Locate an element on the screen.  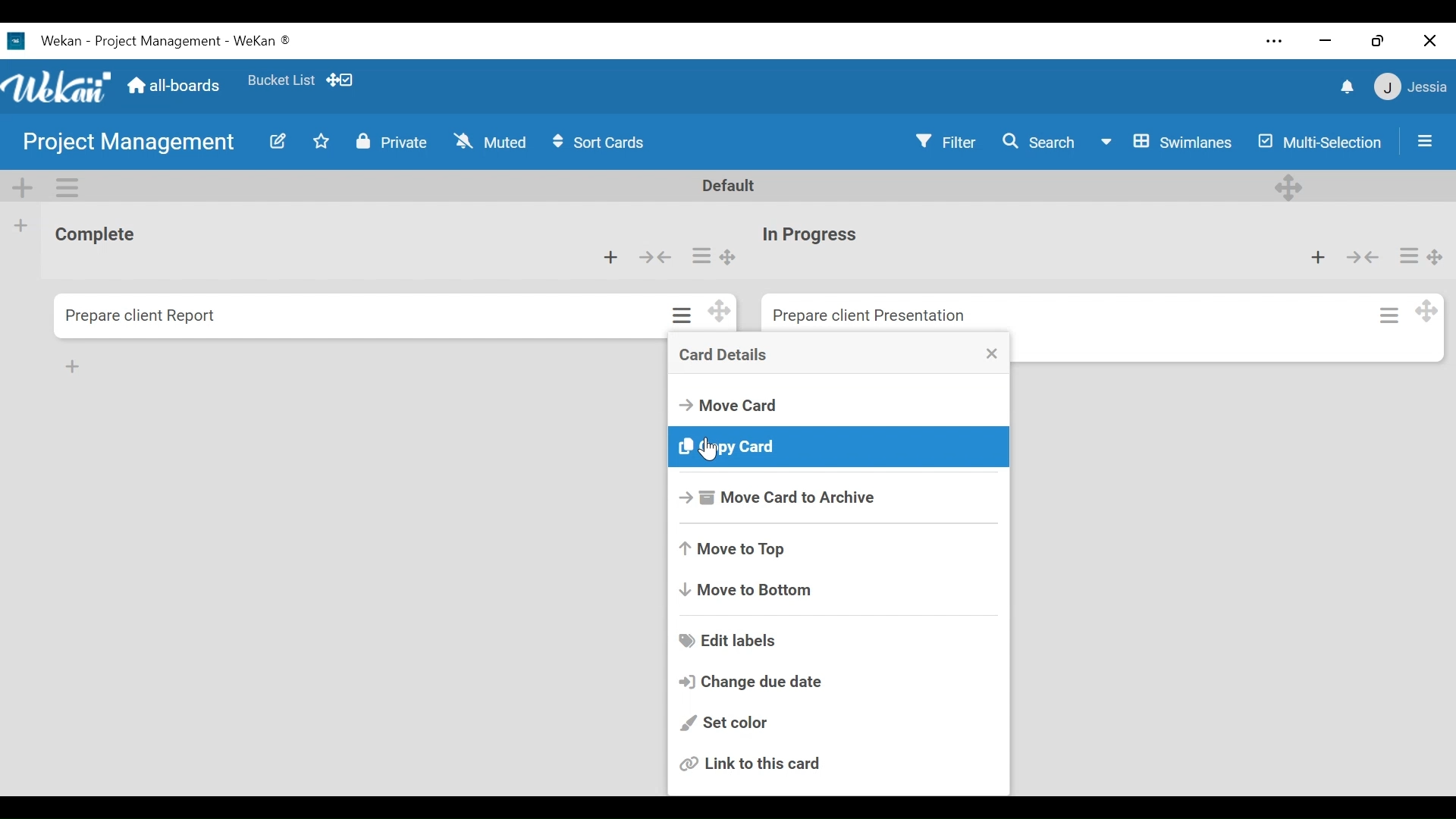
Sort Cards is located at coordinates (598, 142).